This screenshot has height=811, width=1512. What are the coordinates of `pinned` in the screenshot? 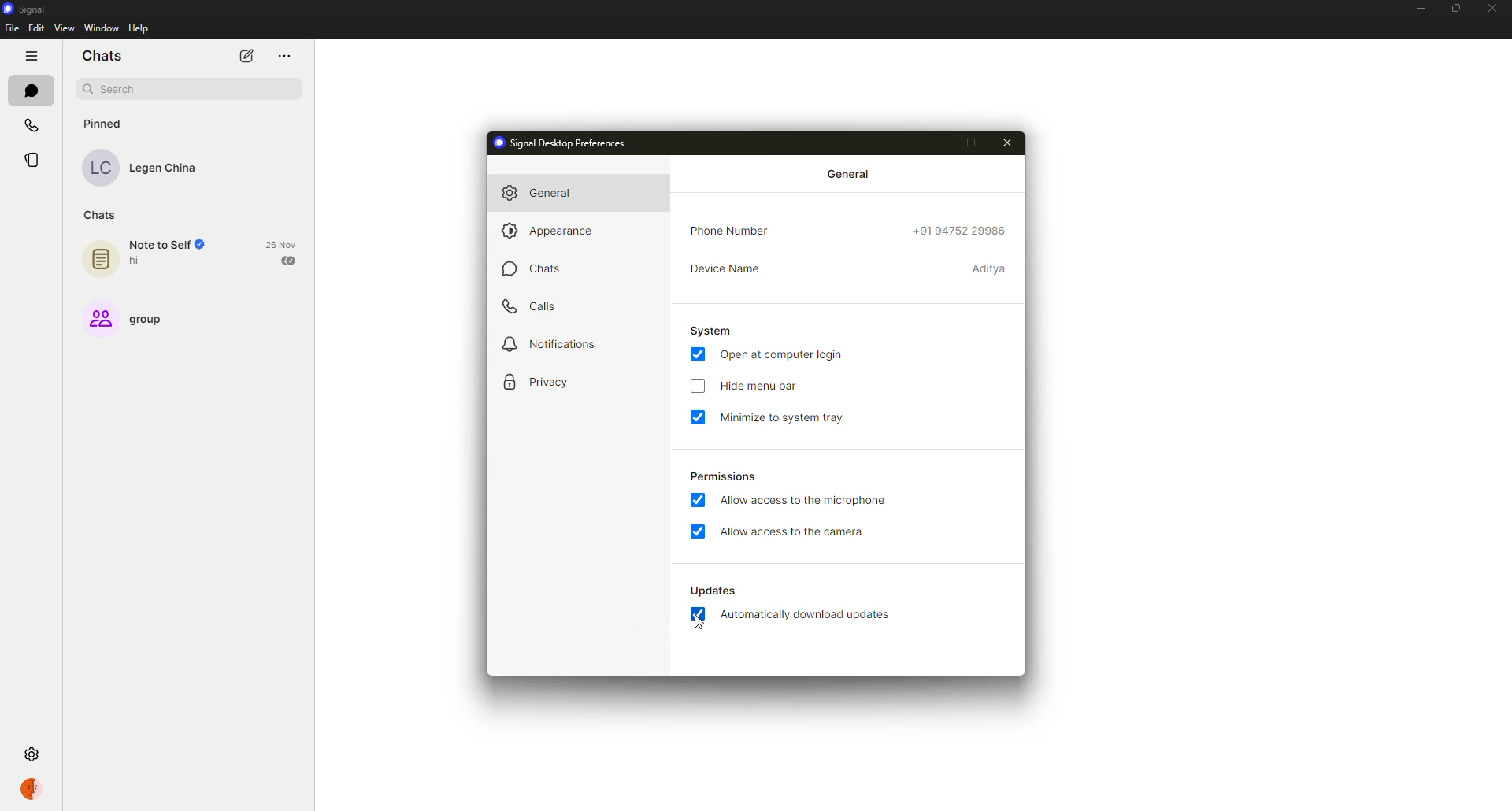 It's located at (103, 123).